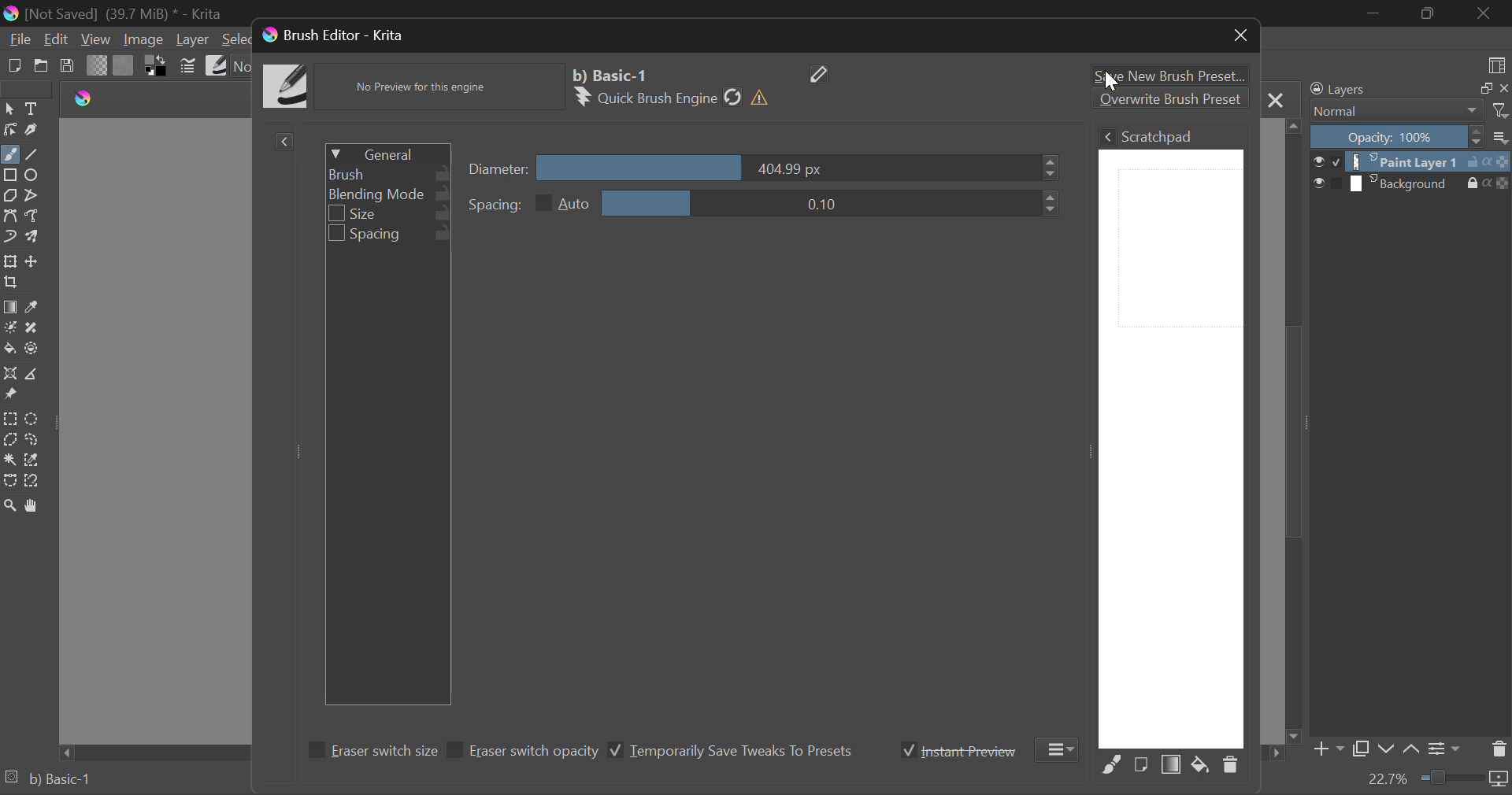 Image resolution: width=1512 pixels, height=795 pixels. I want to click on Move Layer, so click(34, 261).